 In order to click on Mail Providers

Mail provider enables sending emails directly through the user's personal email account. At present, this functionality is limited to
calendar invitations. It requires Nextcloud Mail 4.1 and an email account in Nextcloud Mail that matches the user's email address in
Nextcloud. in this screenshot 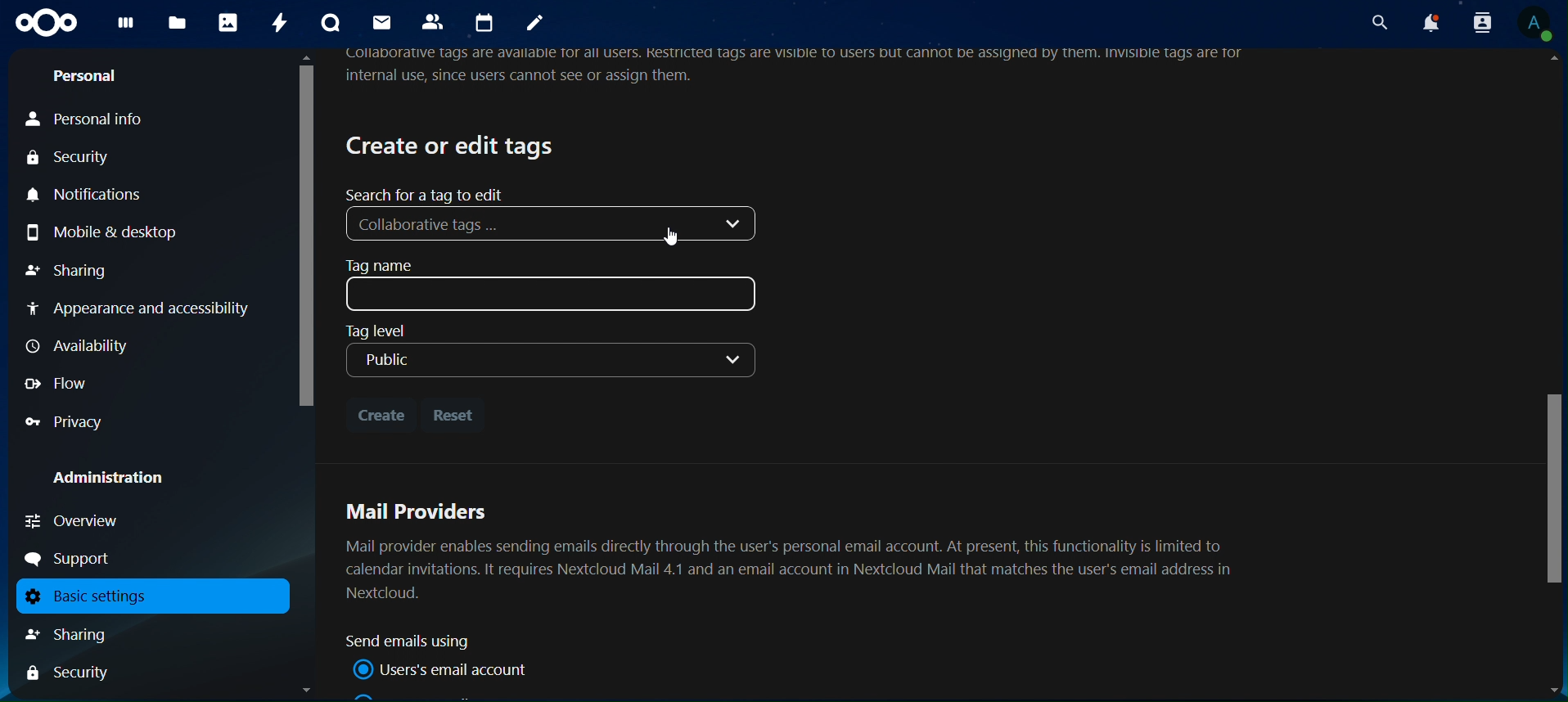, I will do `click(795, 549)`.